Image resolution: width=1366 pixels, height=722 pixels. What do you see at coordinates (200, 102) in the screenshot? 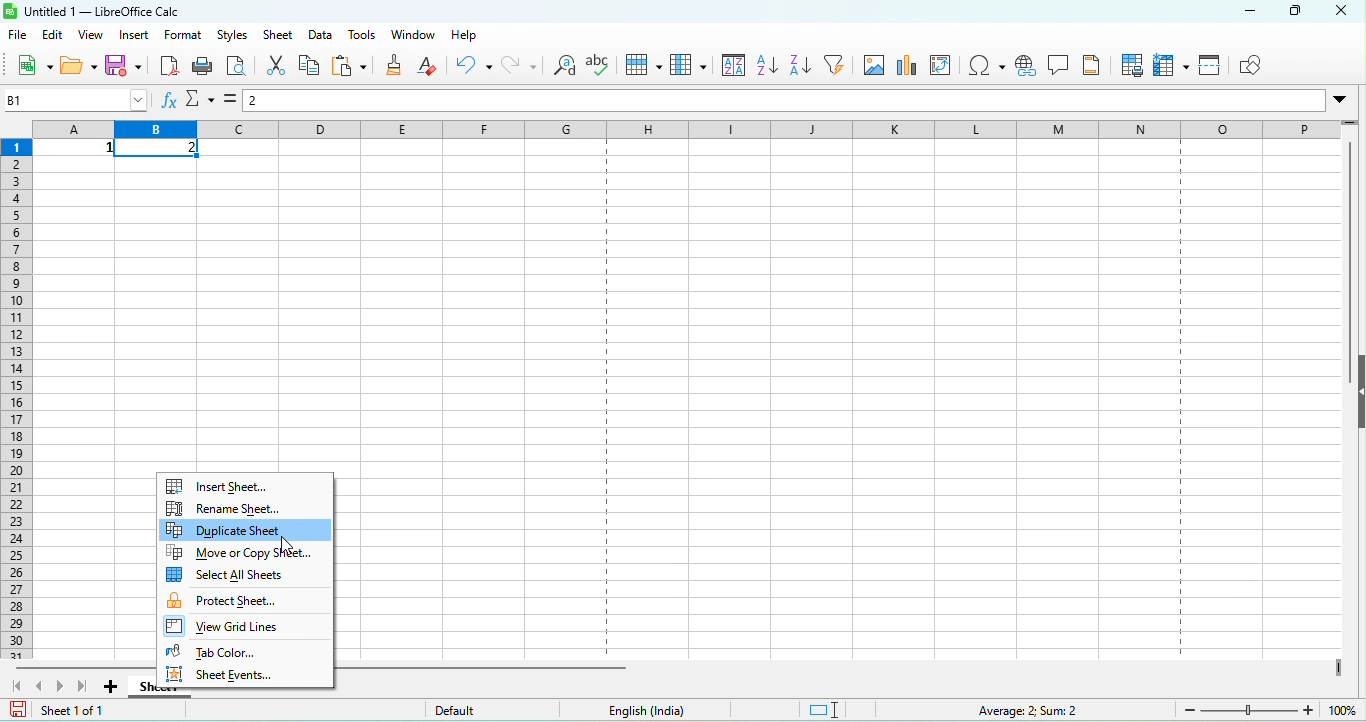
I see `select function` at bounding box center [200, 102].